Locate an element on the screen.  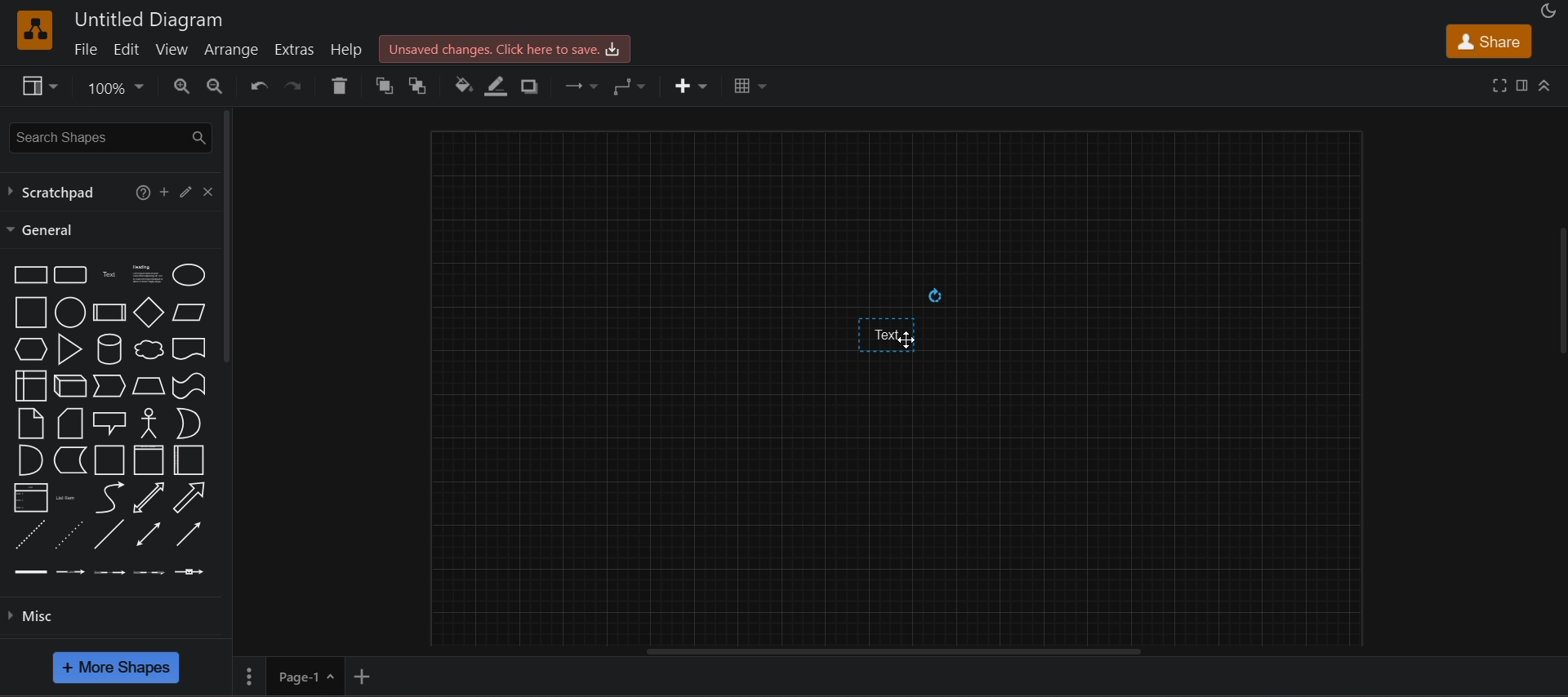
add new page is located at coordinates (363, 677).